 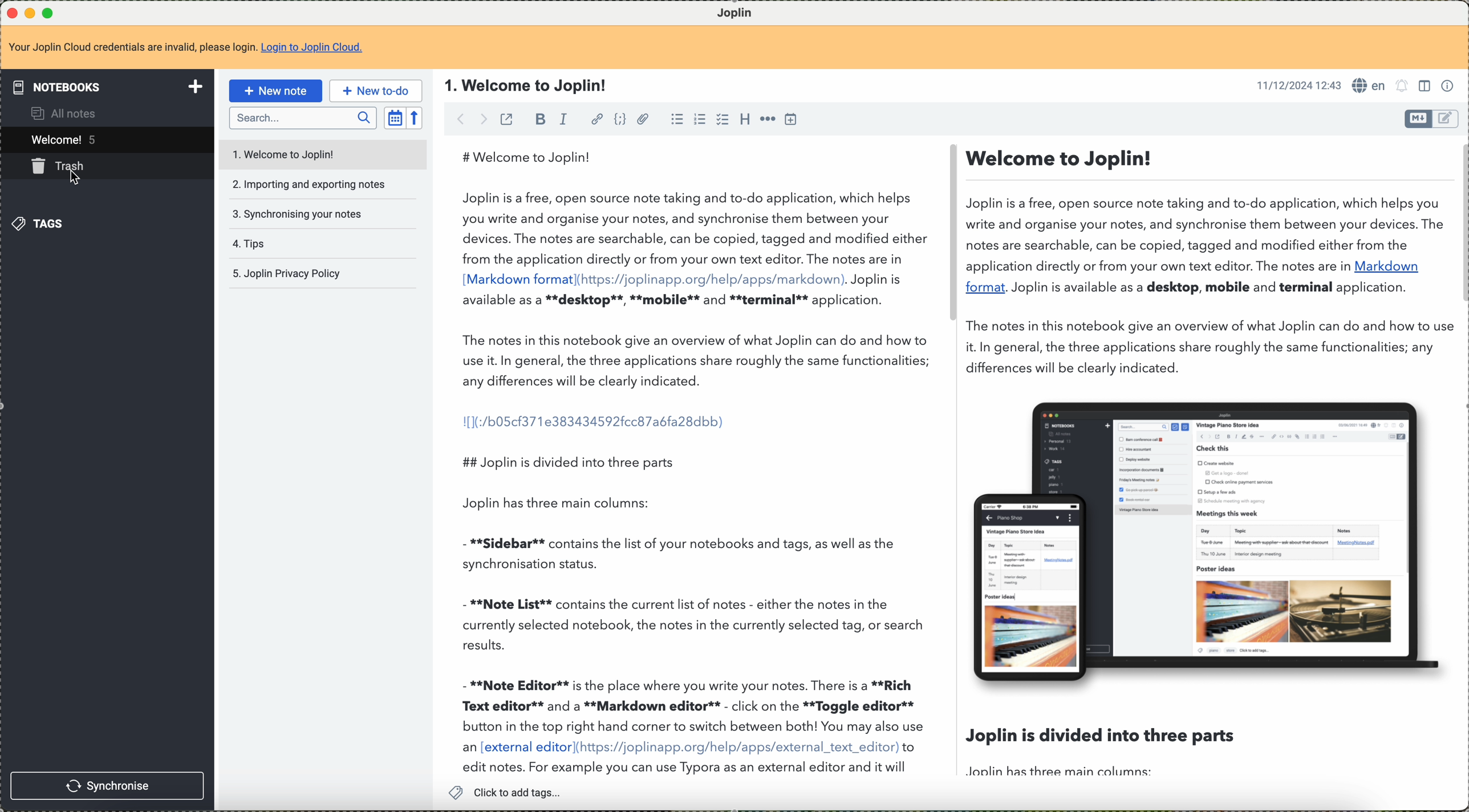 What do you see at coordinates (462, 119) in the screenshot?
I see `back` at bounding box center [462, 119].